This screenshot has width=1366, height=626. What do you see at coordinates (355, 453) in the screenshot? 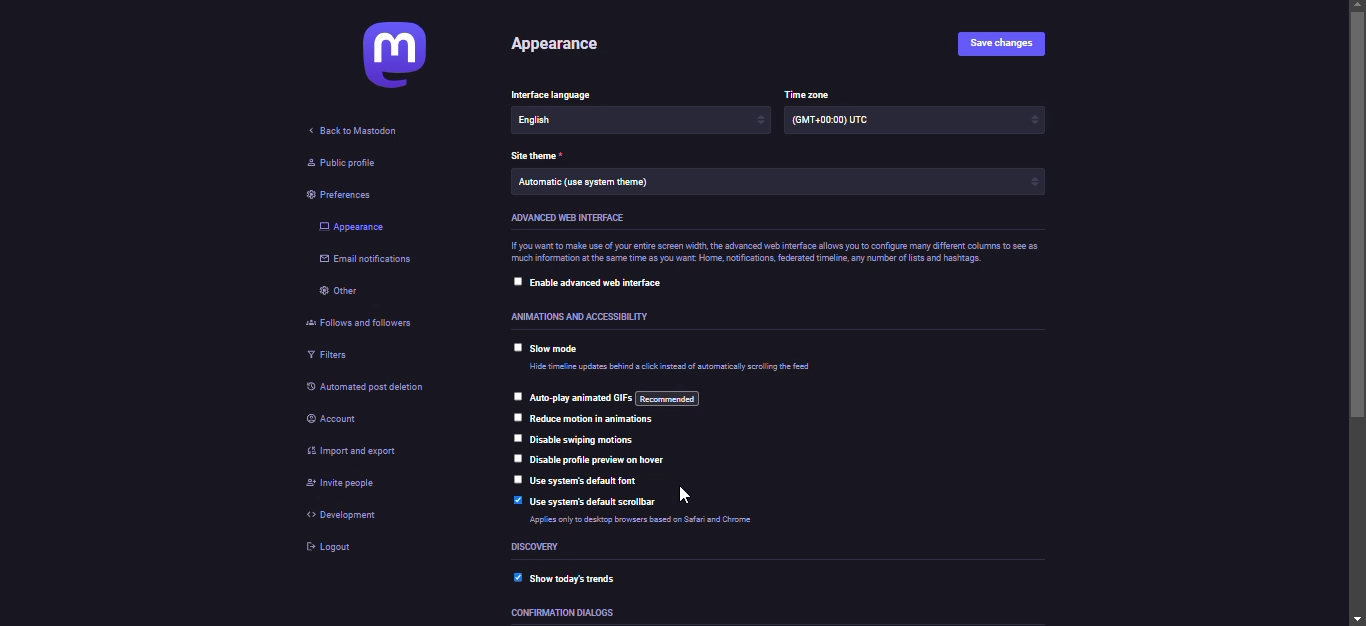
I see `import & export` at bounding box center [355, 453].